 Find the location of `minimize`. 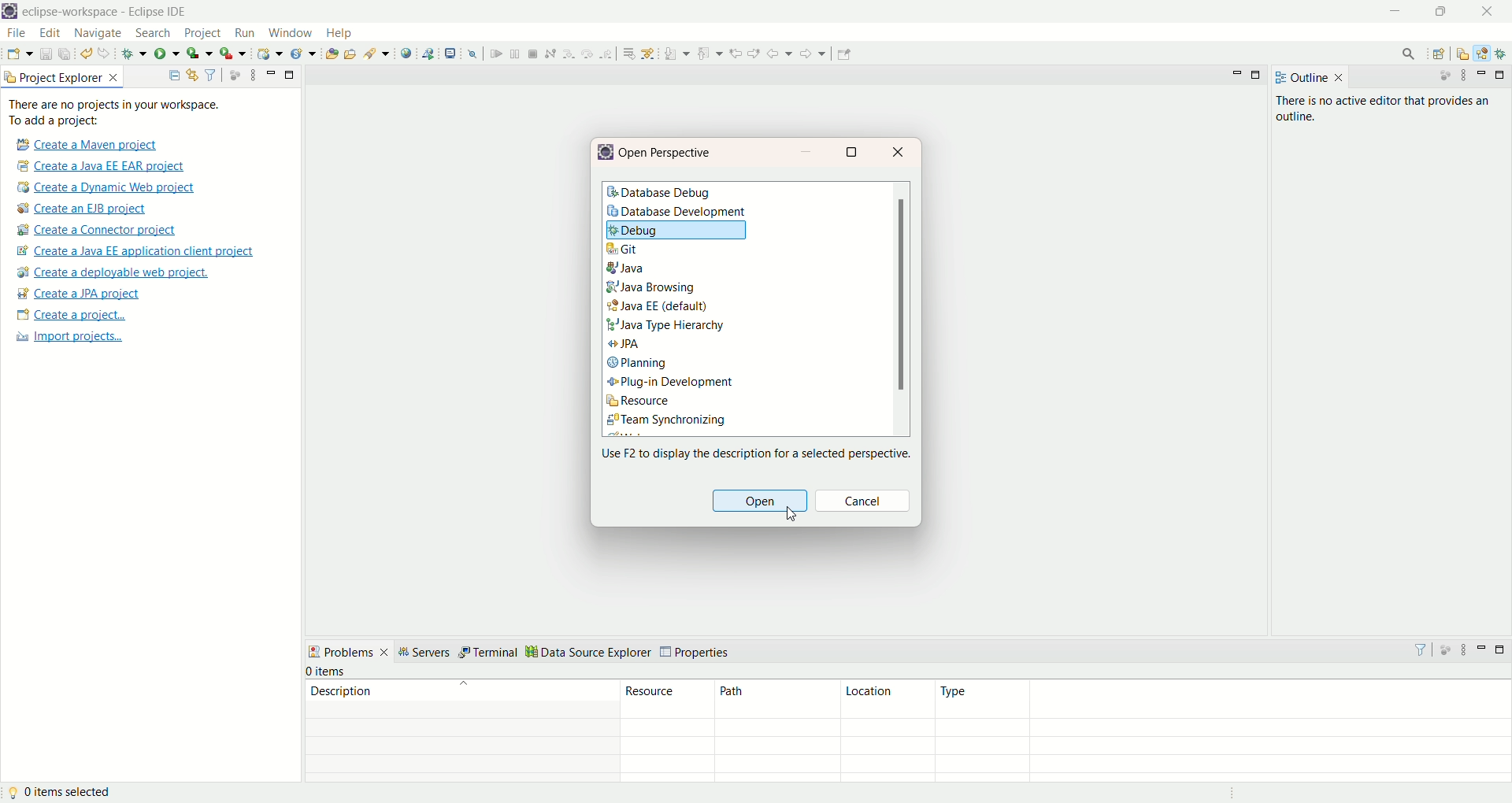

minimize is located at coordinates (812, 151).